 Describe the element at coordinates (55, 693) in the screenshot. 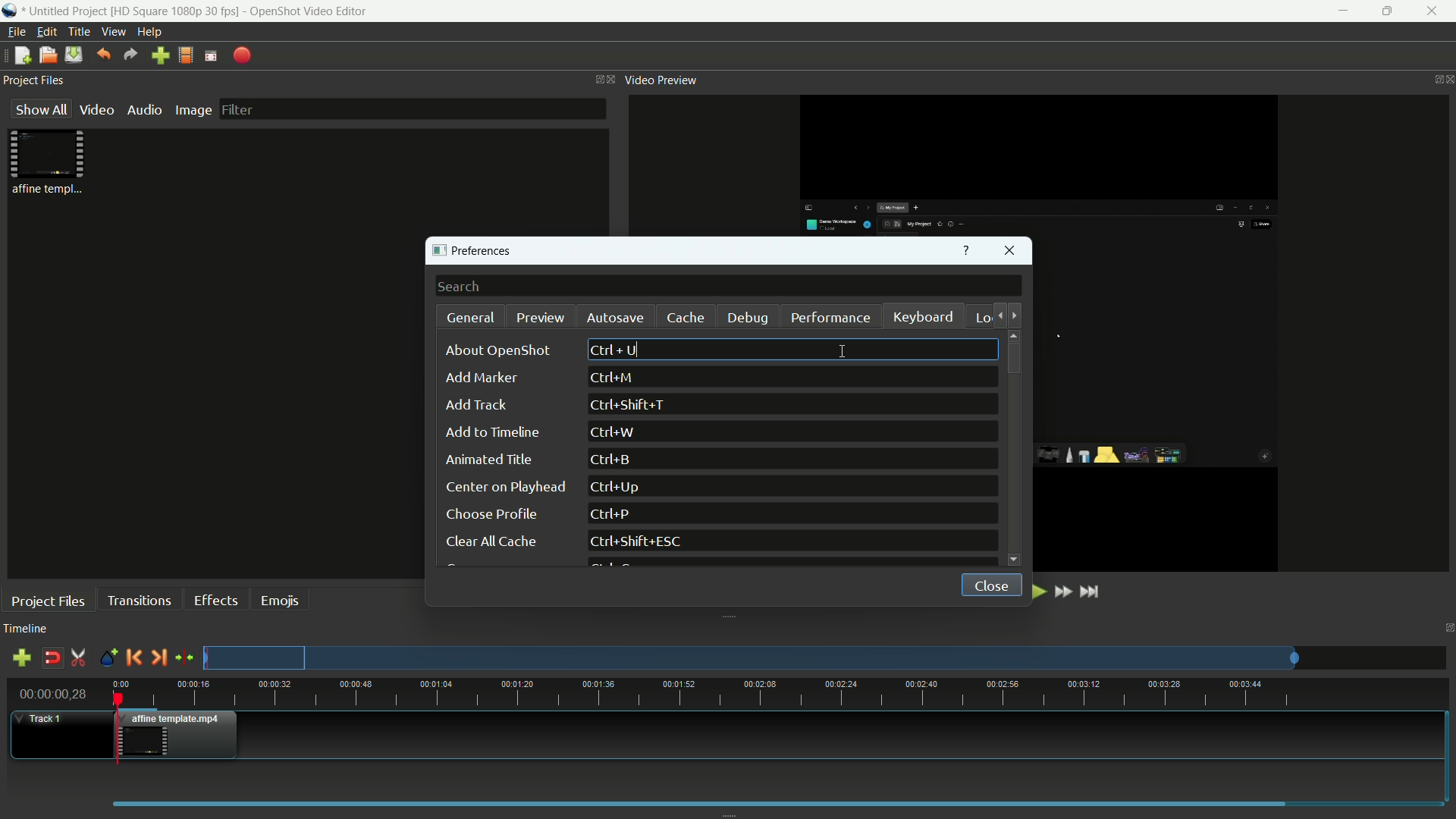

I see `current time` at that location.